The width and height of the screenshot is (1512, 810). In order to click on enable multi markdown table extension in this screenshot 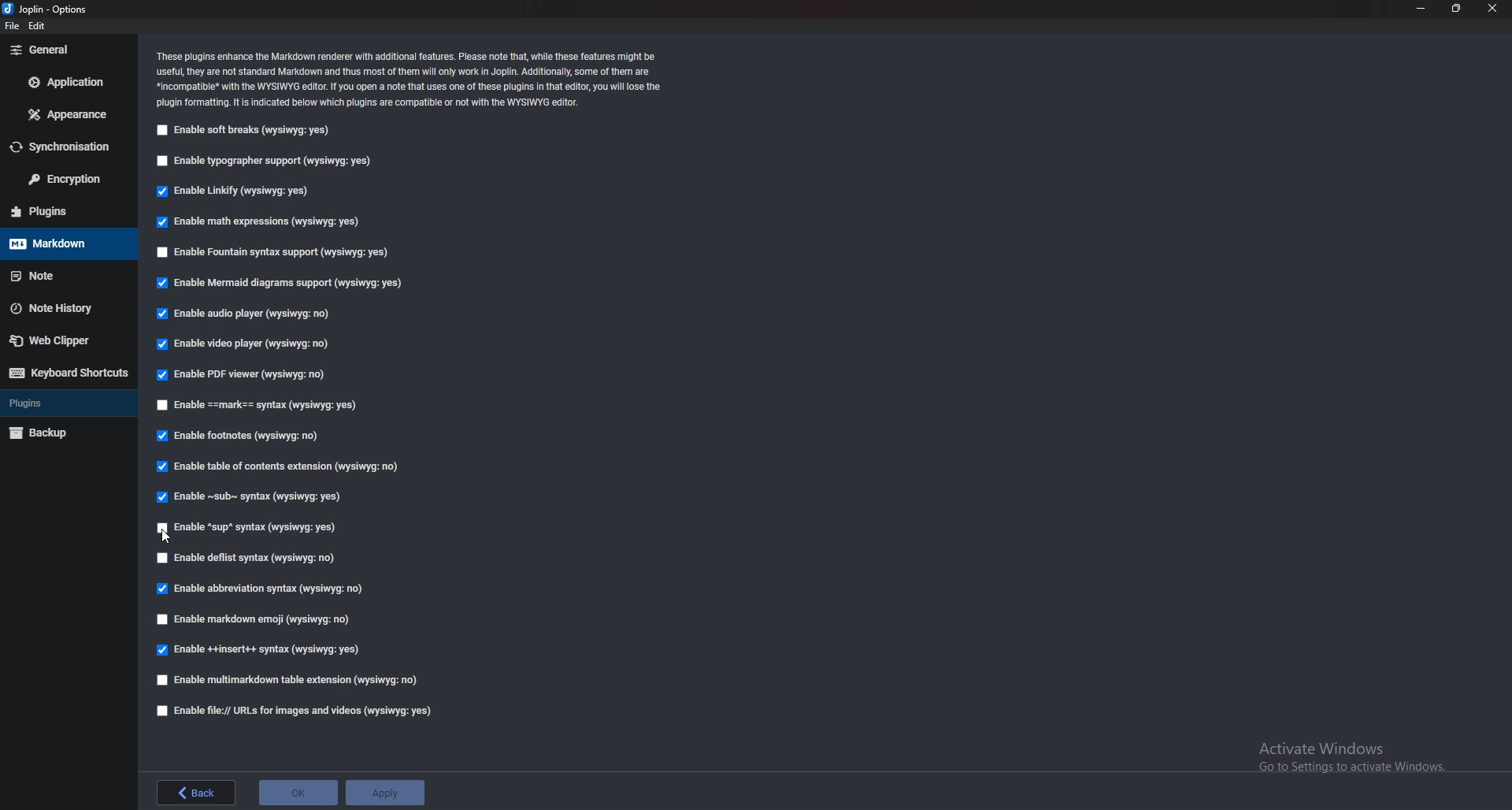, I will do `click(285, 681)`.